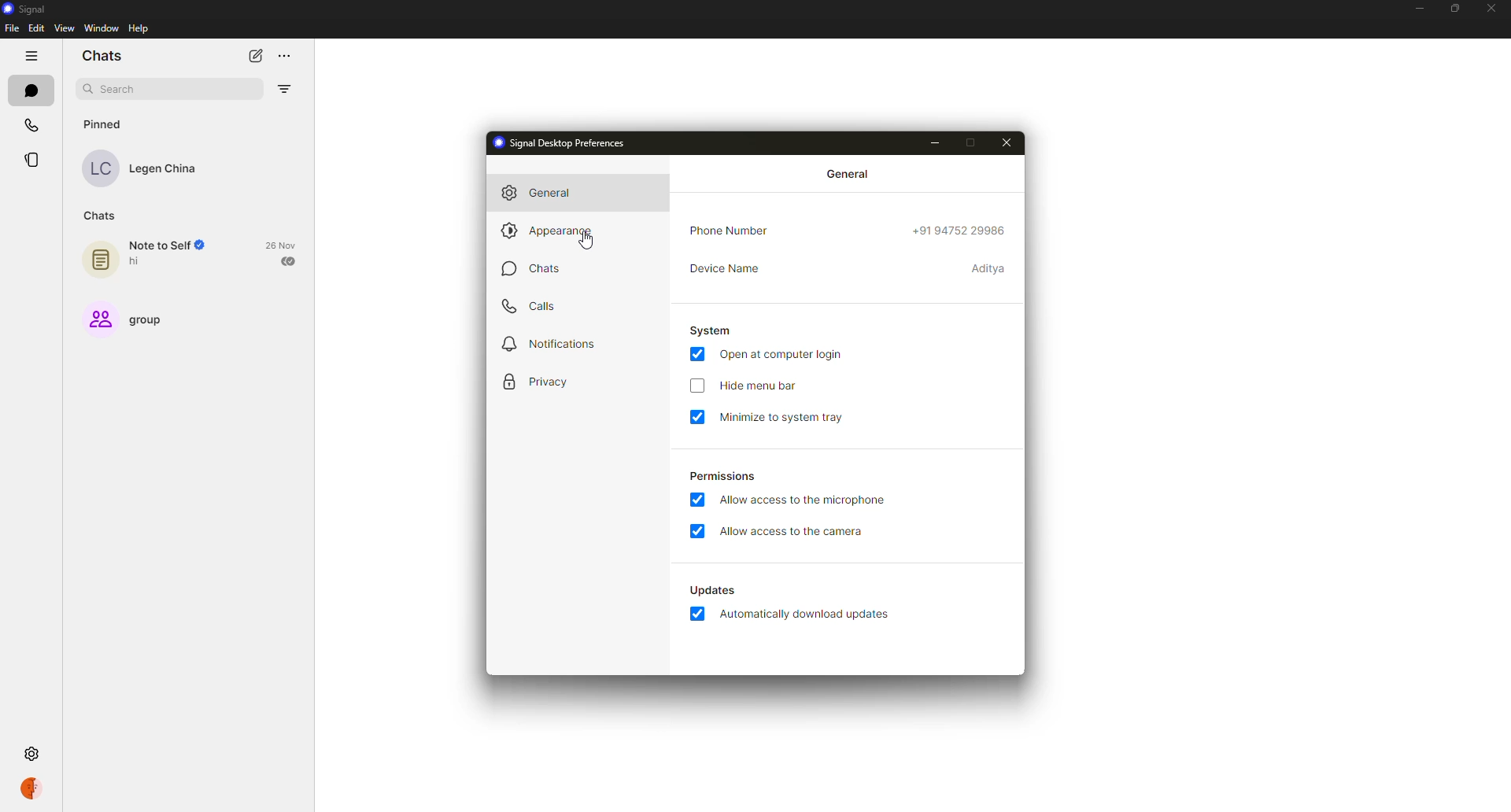  I want to click on calls, so click(33, 124).